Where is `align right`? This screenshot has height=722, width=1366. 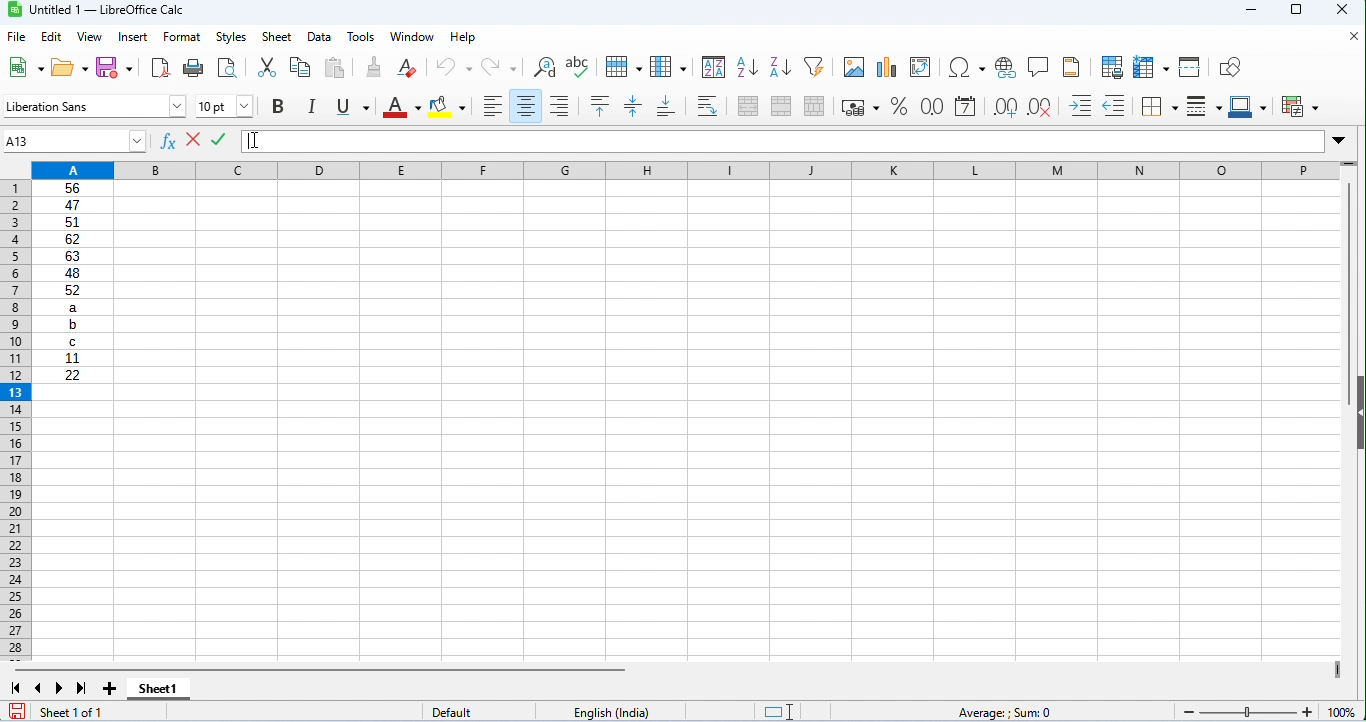 align right is located at coordinates (560, 105).